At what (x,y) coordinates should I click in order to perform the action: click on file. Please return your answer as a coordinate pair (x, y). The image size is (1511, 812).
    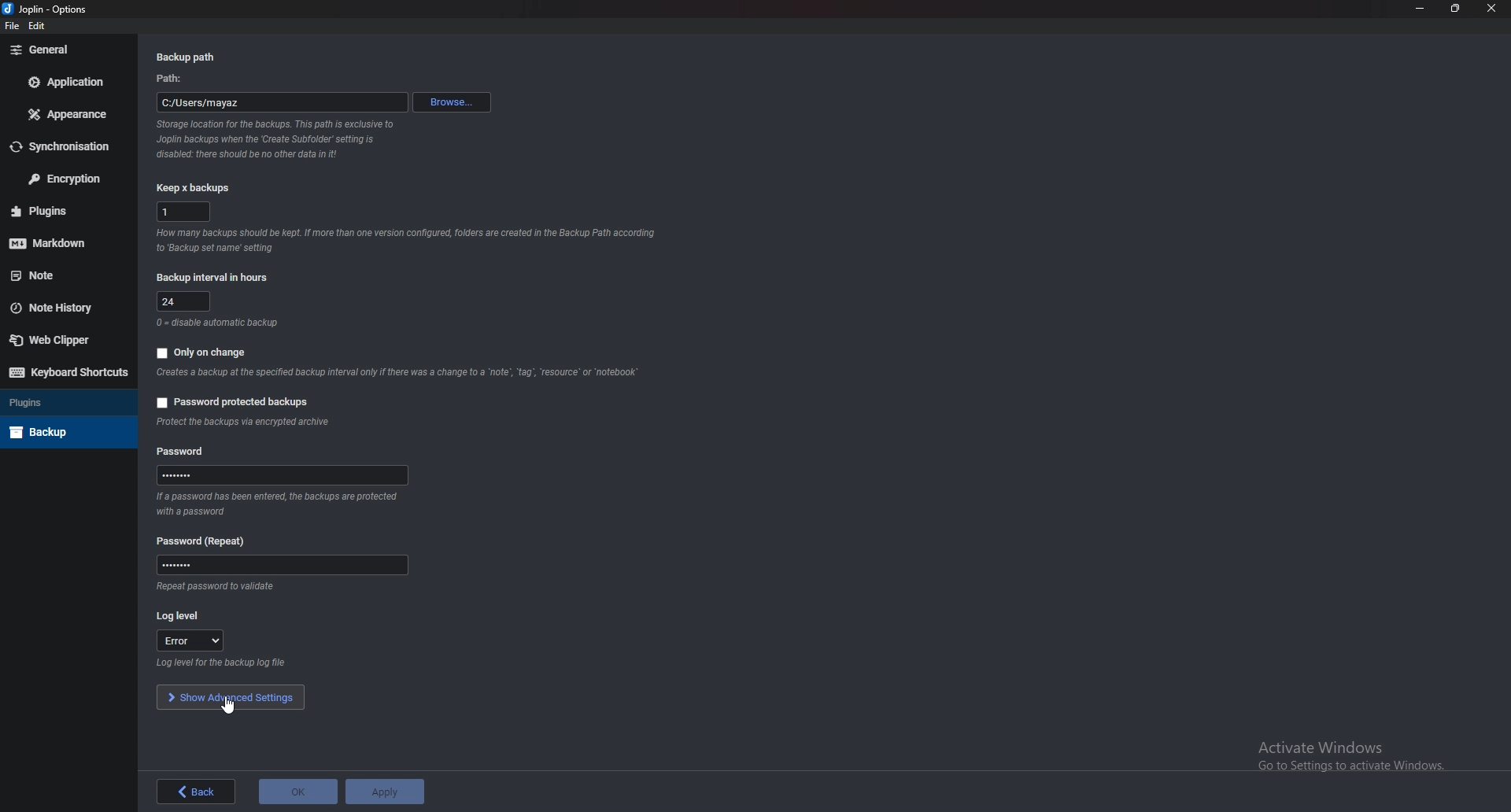
    Looking at the image, I should click on (12, 26).